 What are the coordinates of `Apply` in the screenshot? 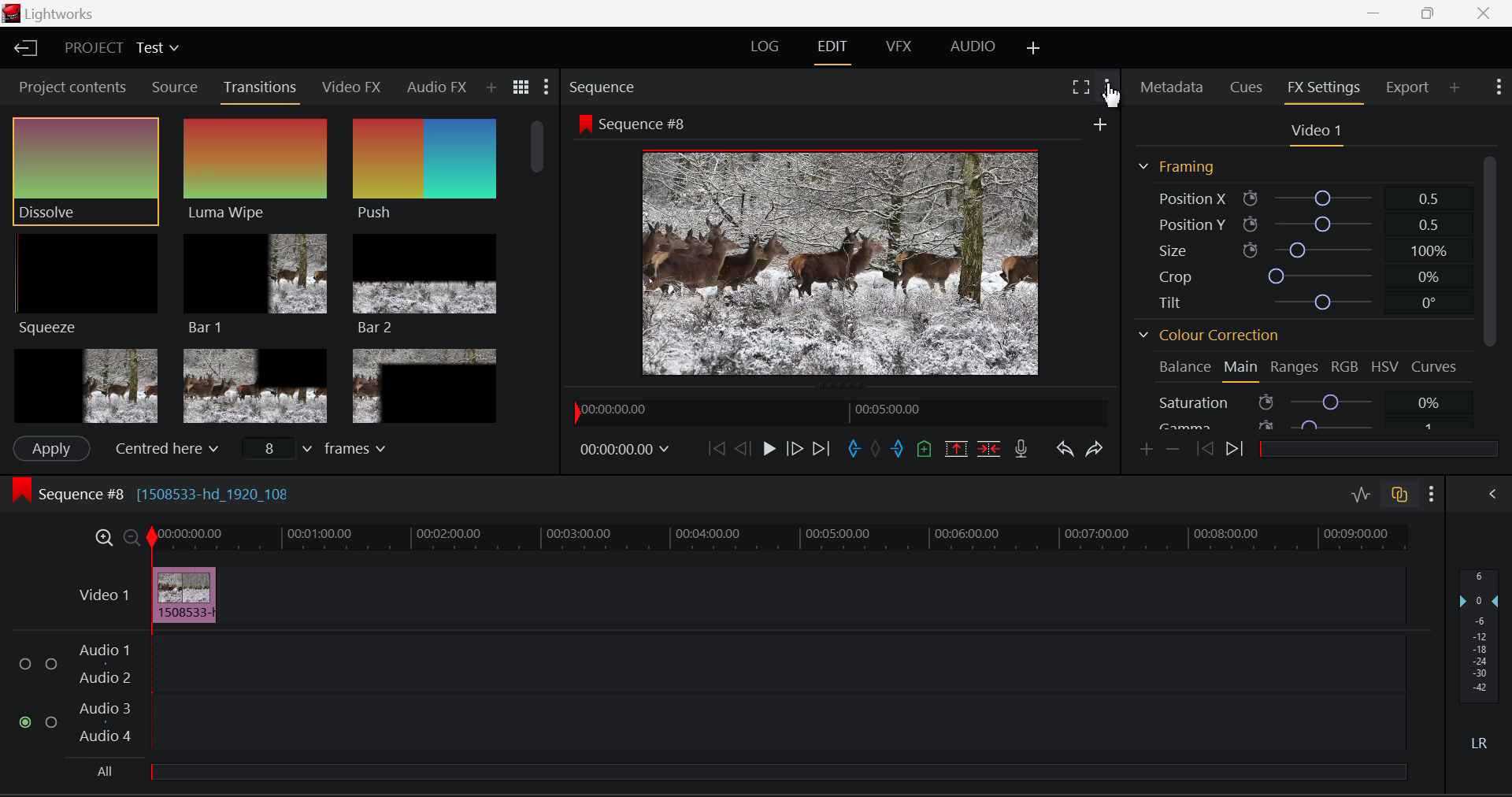 It's located at (51, 447).